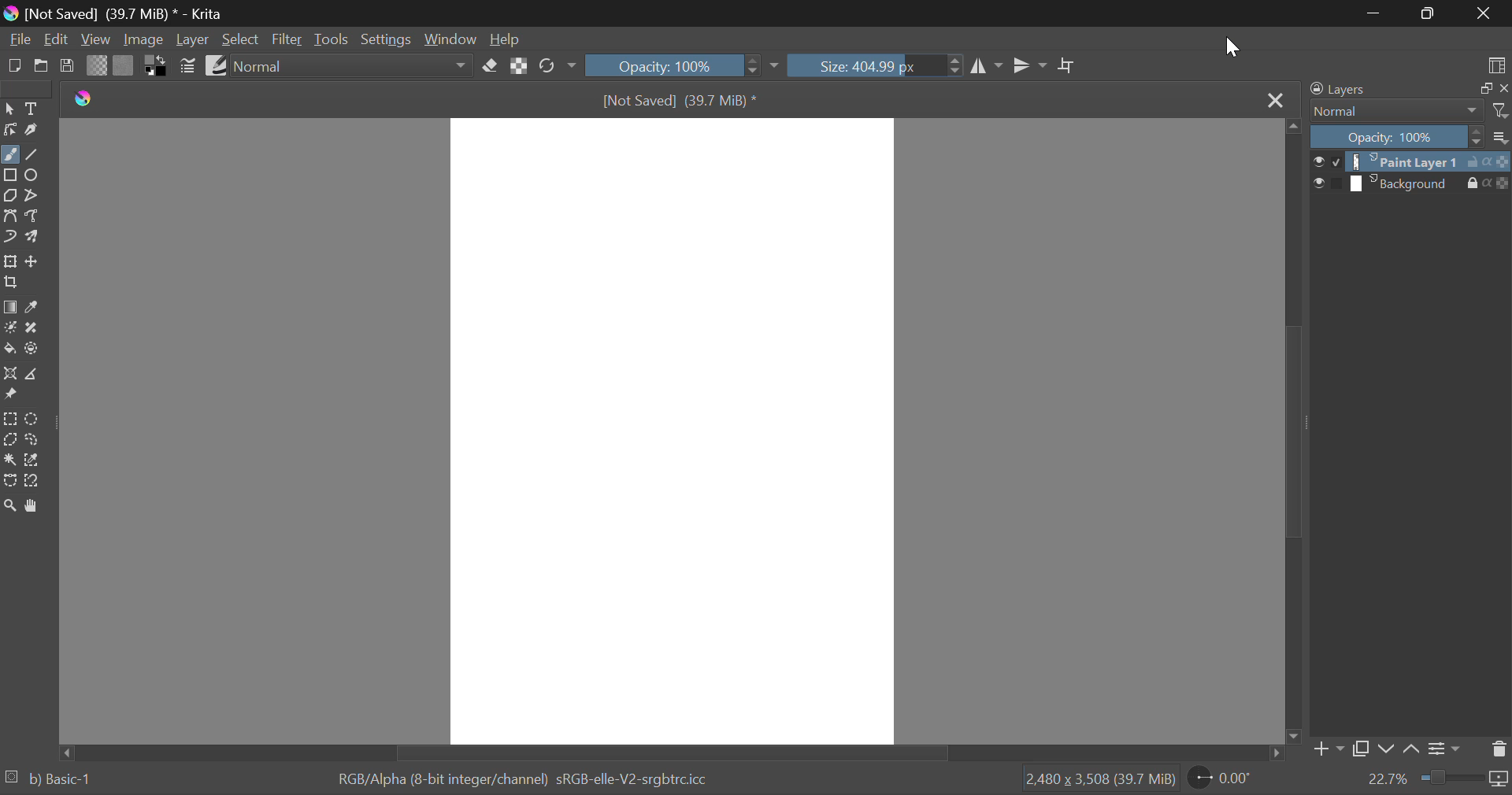 The height and width of the screenshot is (795, 1512). What do you see at coordinates (9, 460) in the screenshot?
I see `Continuous Selection` at bounding box center [9, 460].